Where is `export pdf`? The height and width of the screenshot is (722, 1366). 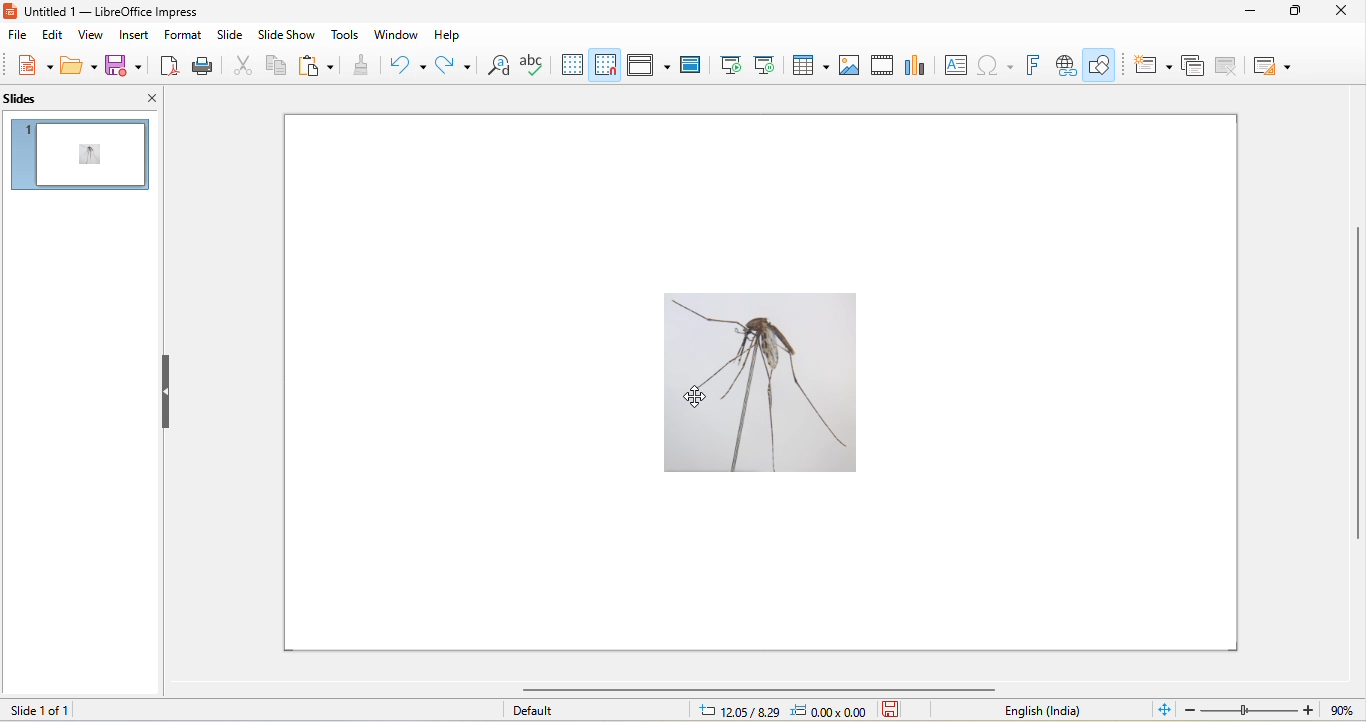
export pdf is located at coordinates (172, 67).